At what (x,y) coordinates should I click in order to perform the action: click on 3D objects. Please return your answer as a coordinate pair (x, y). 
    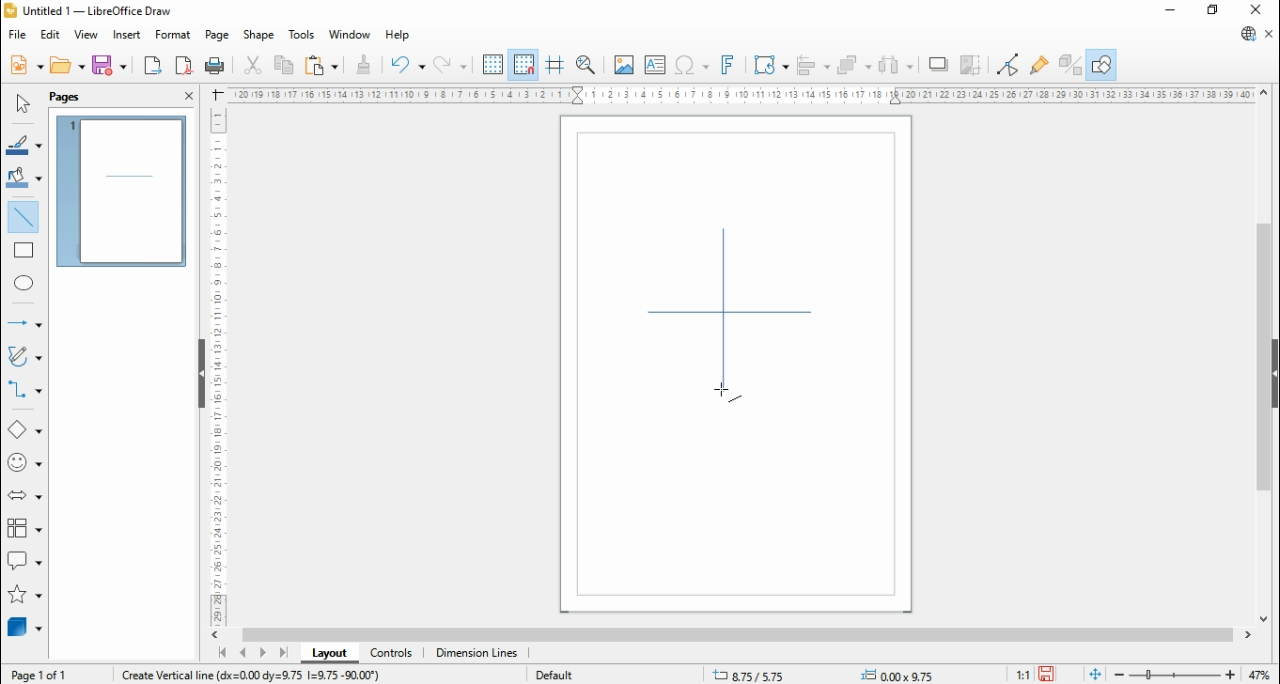
    Looking at the image, I should click on (25, 627).